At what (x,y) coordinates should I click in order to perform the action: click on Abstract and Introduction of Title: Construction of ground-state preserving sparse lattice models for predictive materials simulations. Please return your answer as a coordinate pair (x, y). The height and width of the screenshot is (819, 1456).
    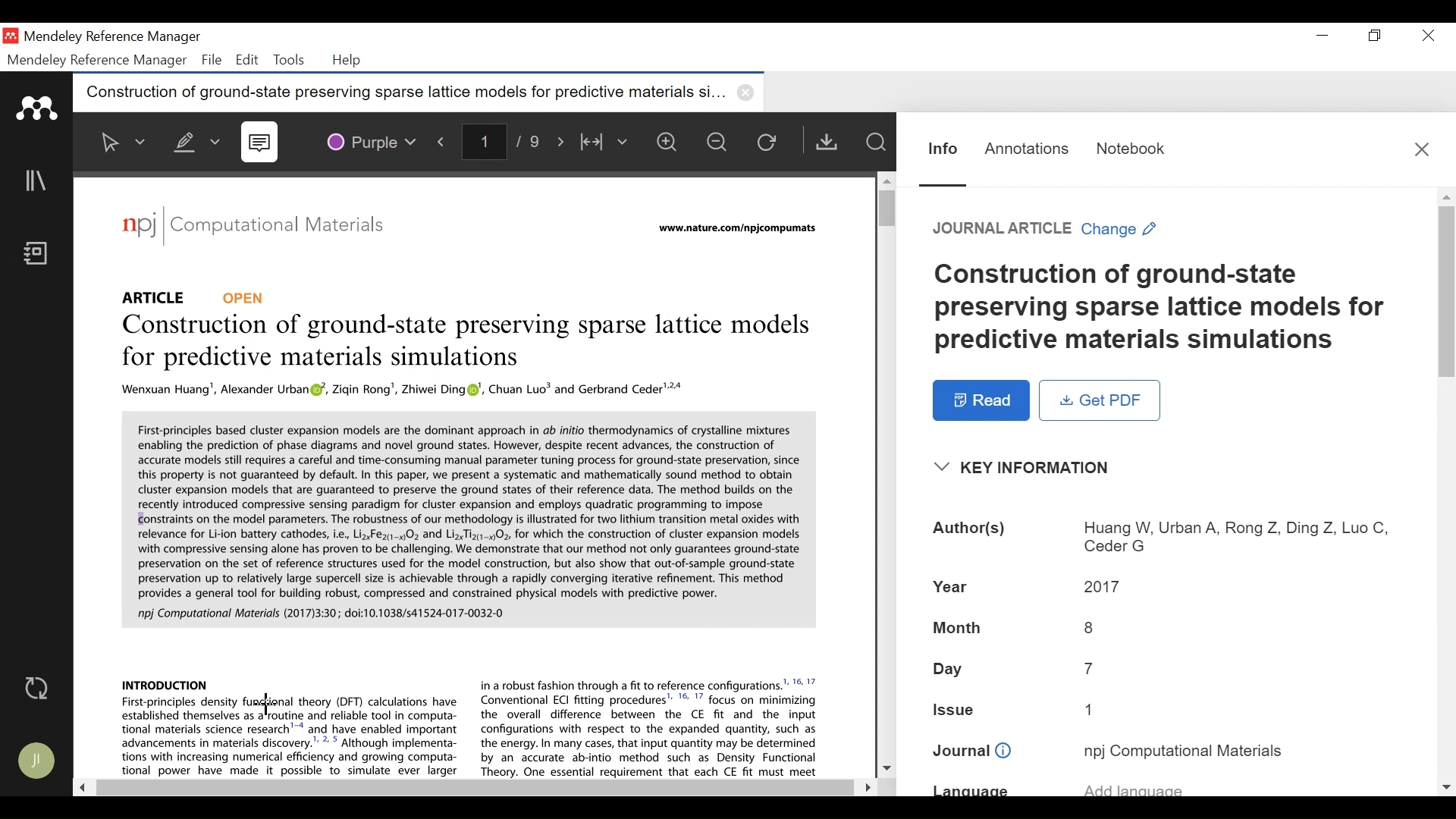
    Looking at the image, I should click on (466, 578).